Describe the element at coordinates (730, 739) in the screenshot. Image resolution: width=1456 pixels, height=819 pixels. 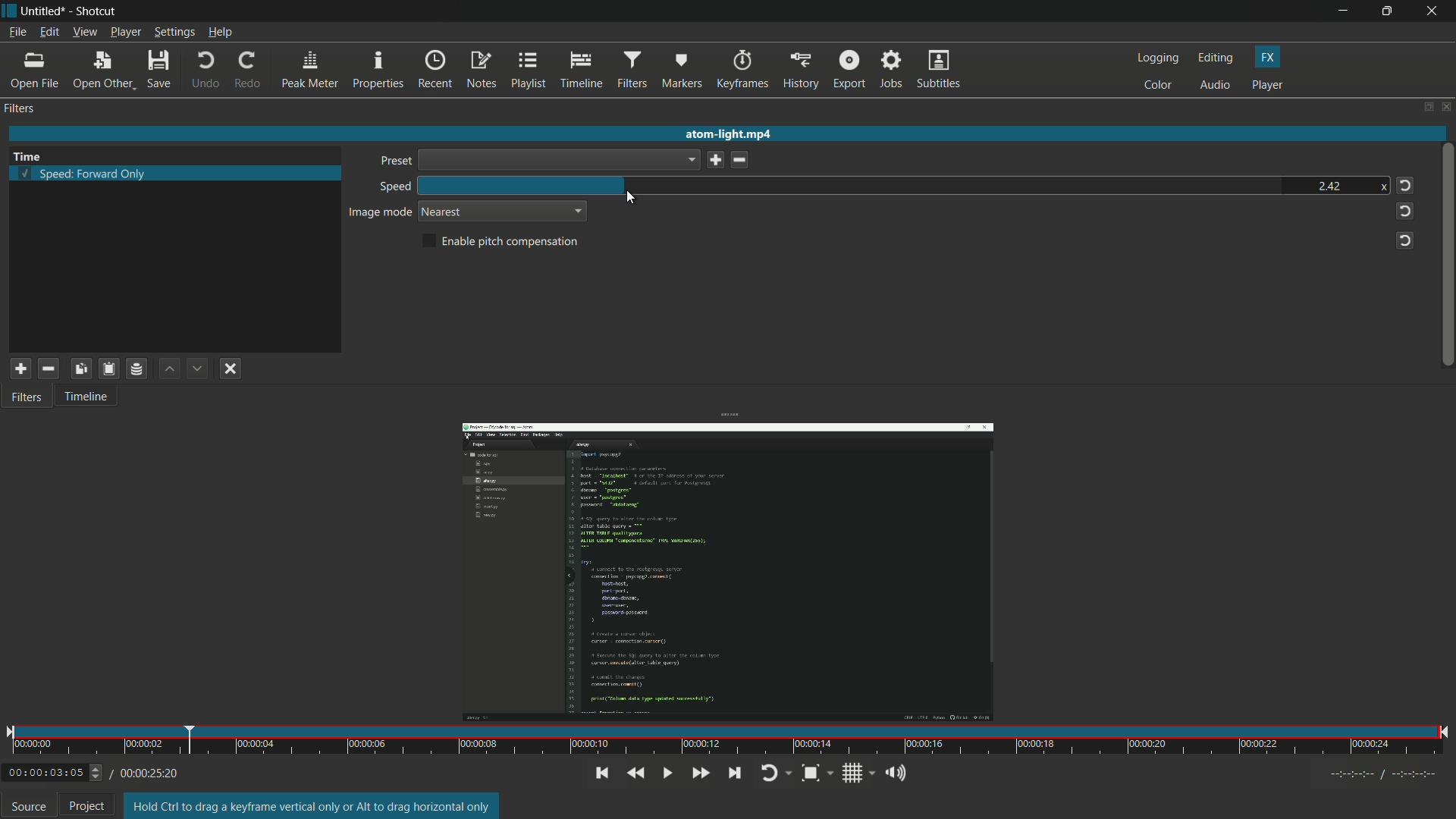
I see `time` at that location.